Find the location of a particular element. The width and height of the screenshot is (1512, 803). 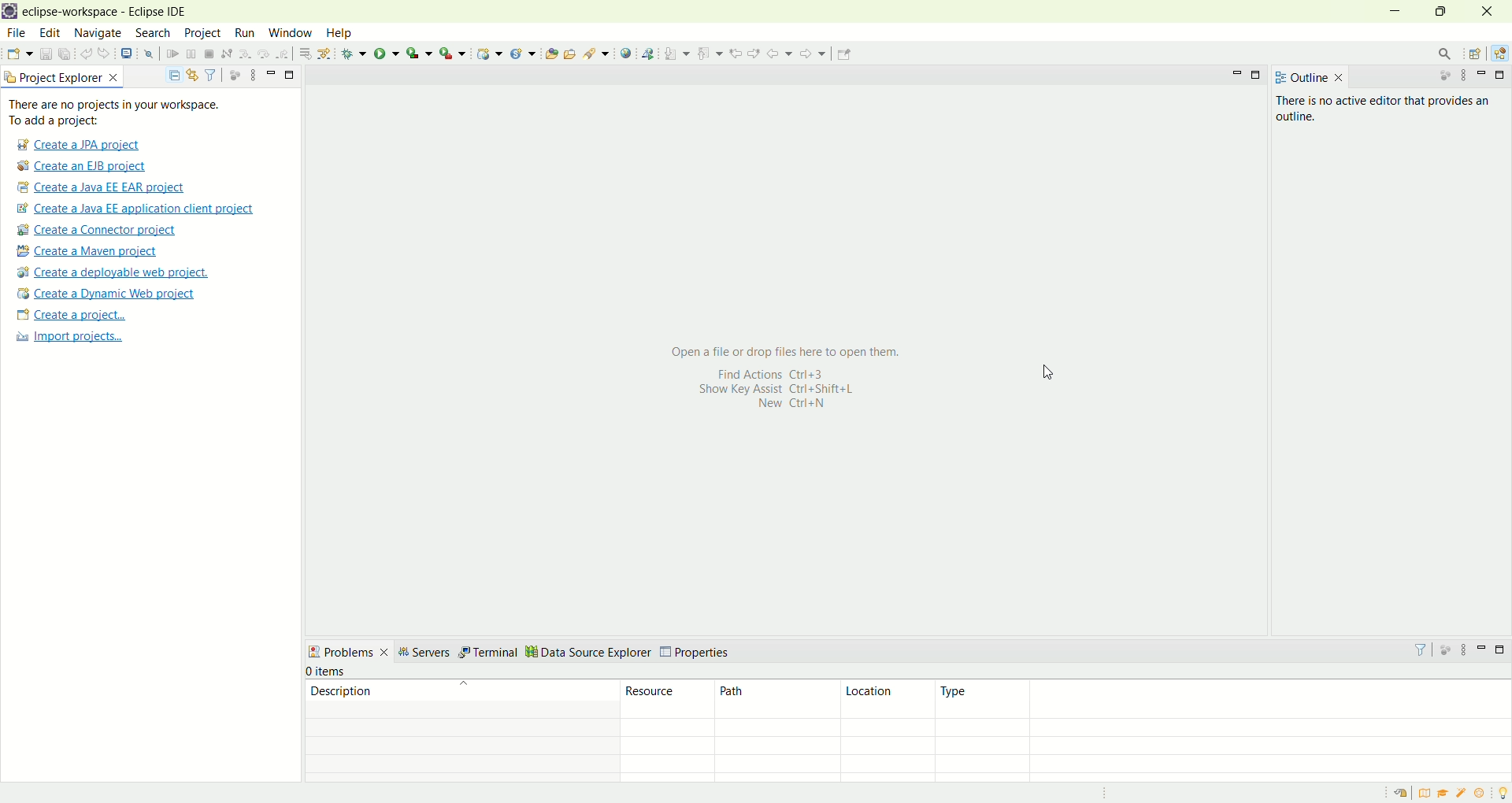

new is located at coordinates (18, 54).